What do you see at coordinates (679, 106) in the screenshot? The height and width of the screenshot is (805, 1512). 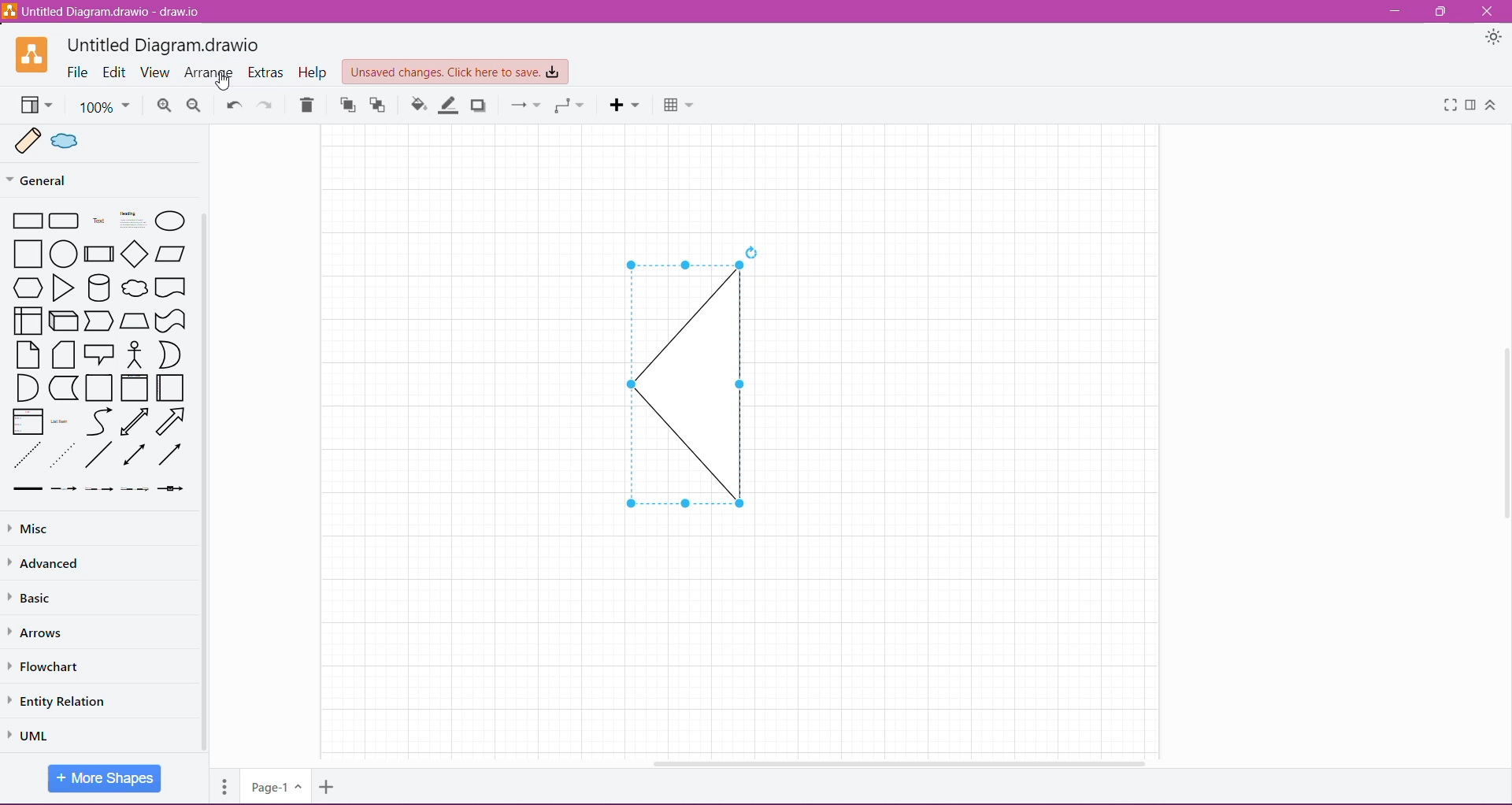 I see `Table` at bounding box center [679, 106].